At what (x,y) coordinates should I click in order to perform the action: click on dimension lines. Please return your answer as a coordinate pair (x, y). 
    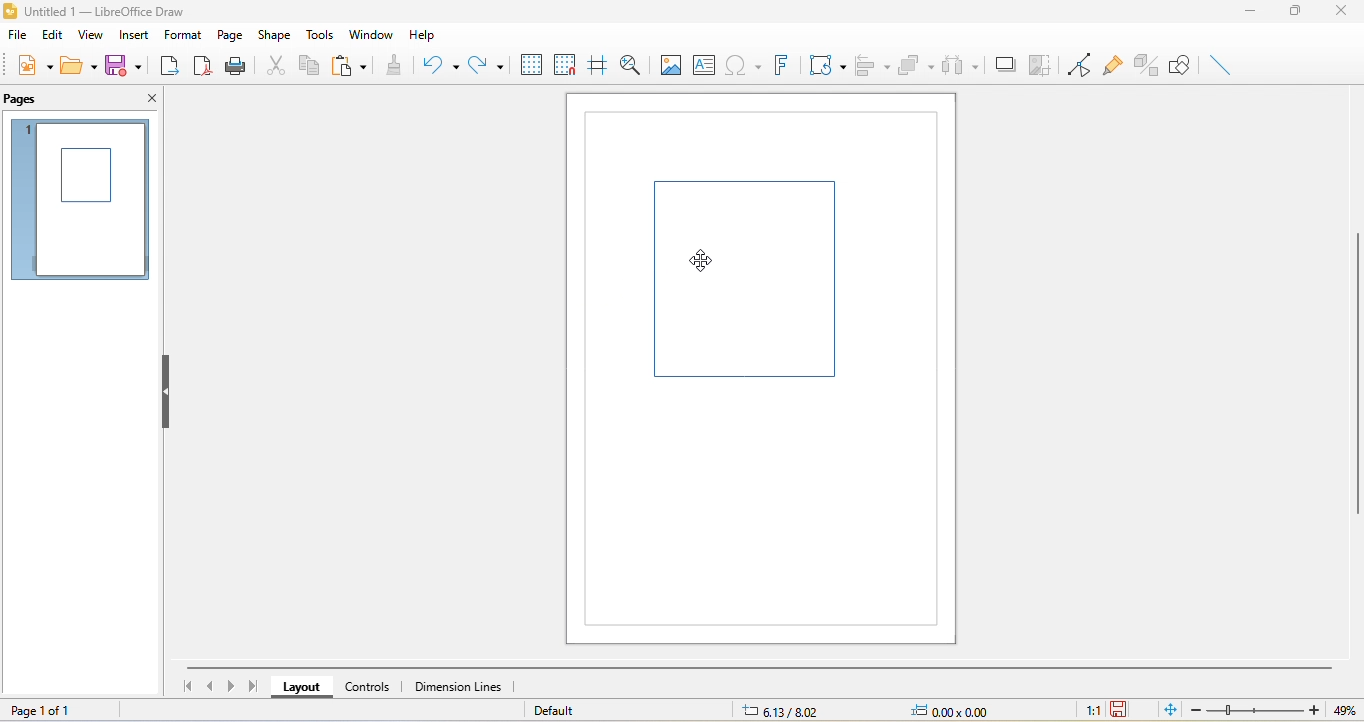
    Looking at the image, I should click on (463, 686).